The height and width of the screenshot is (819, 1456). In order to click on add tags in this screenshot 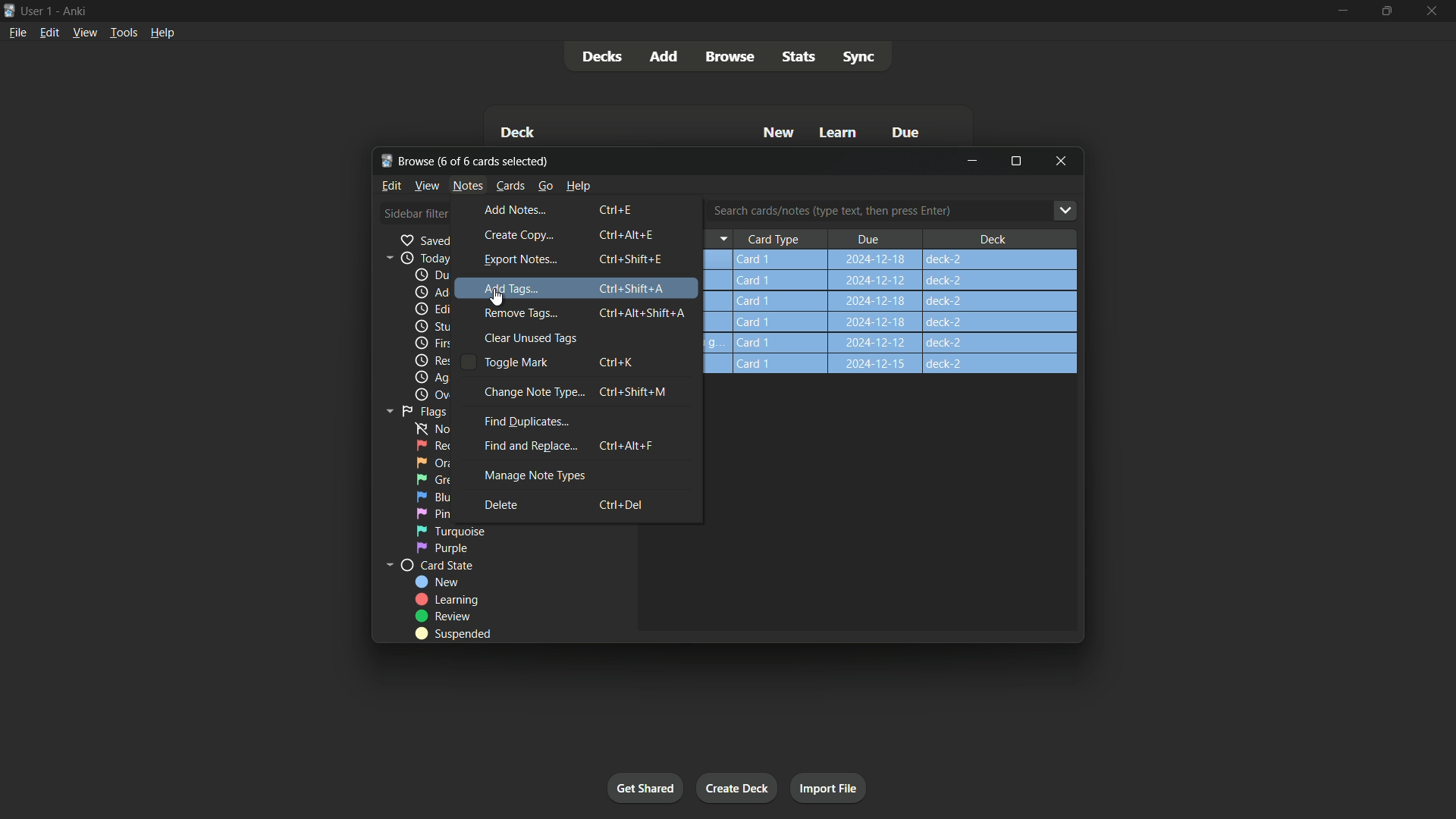, I will do `click(520, 287)`.